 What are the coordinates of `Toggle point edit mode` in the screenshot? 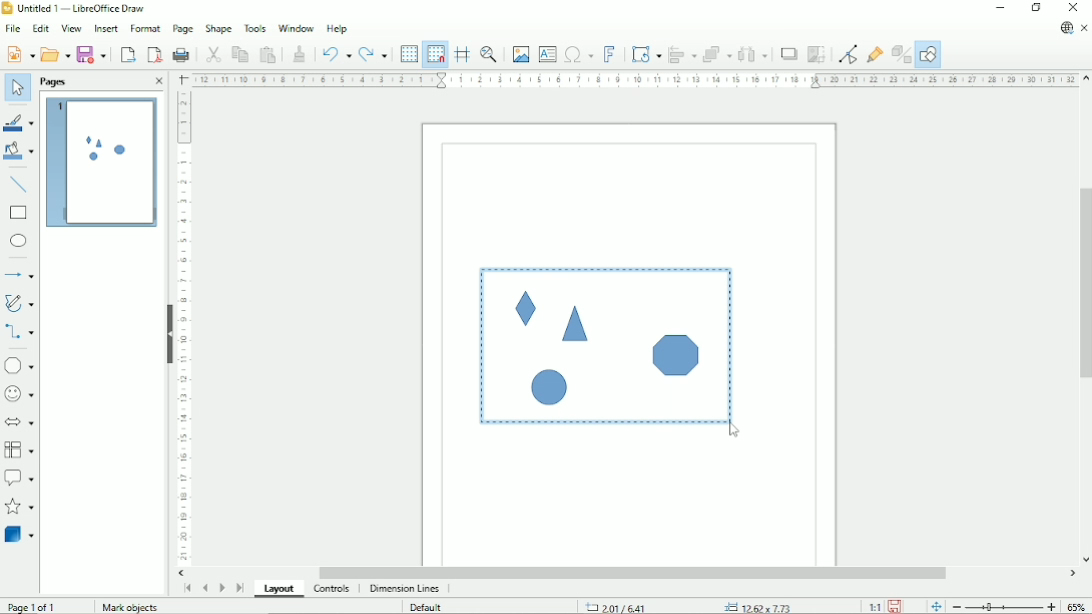 It's located at (846, 53).